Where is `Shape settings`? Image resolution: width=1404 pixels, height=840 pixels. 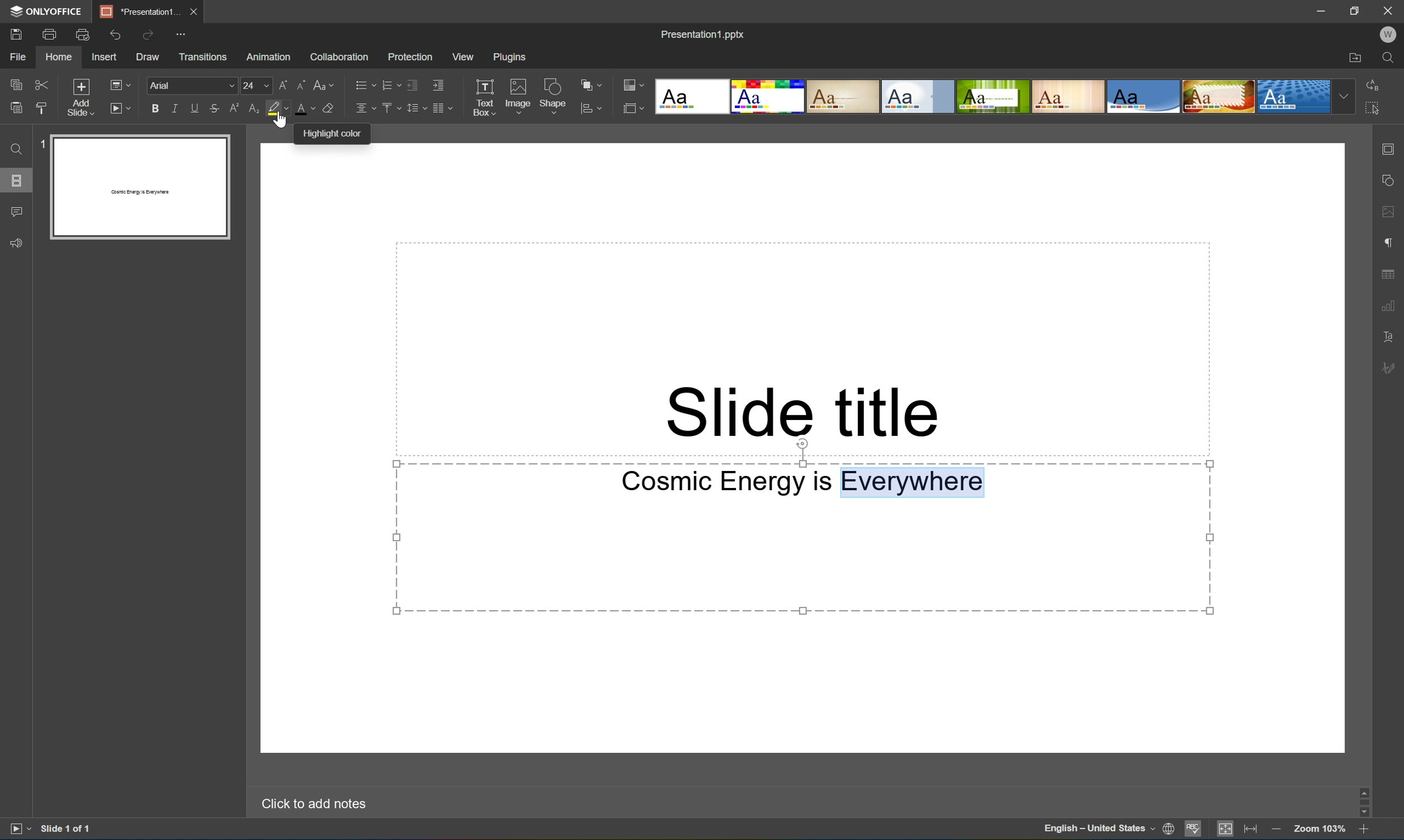
Shape settings is located at coordinates (1391, 181).